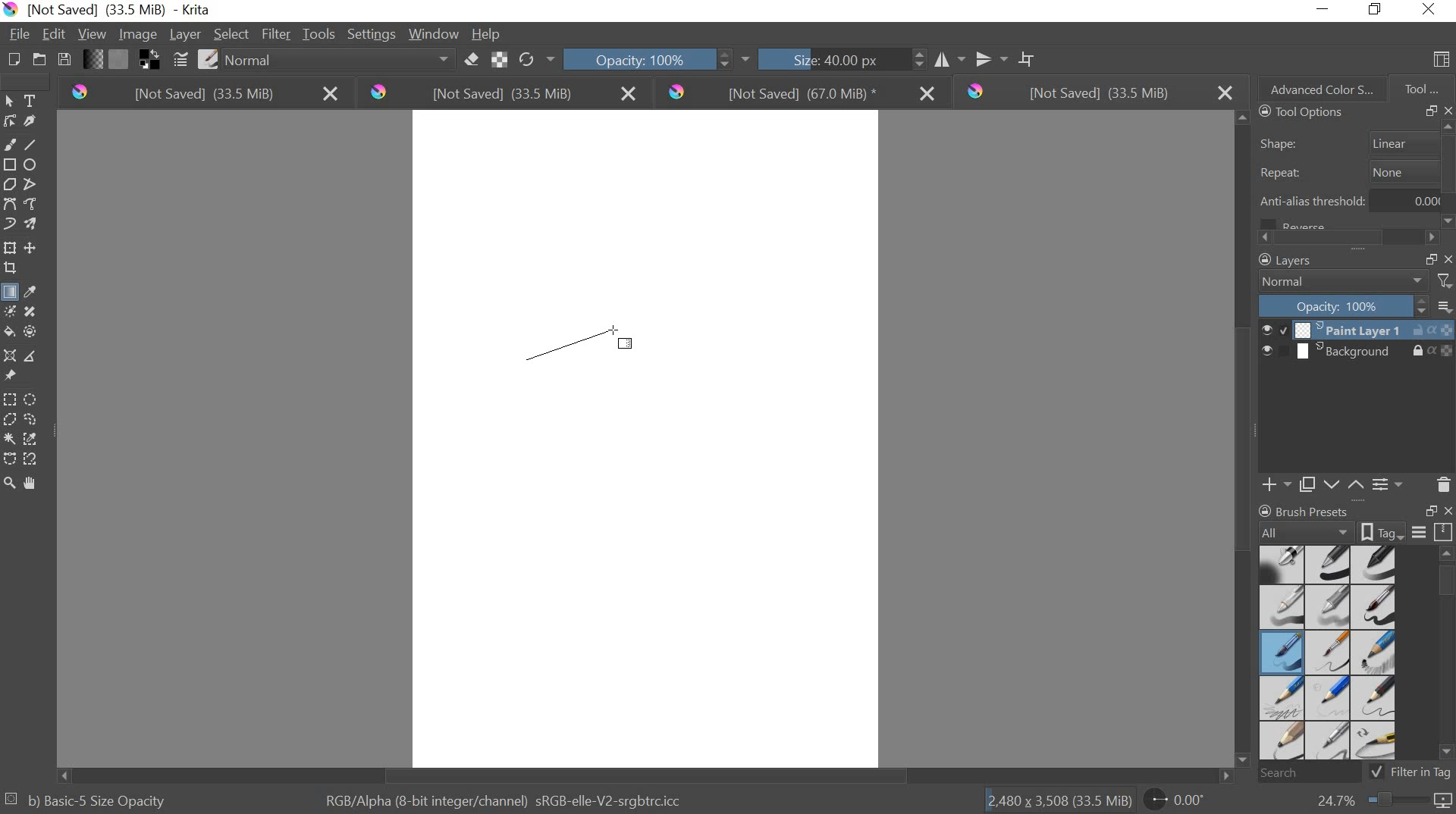  I want to click on SIZE, so click(819, 61).